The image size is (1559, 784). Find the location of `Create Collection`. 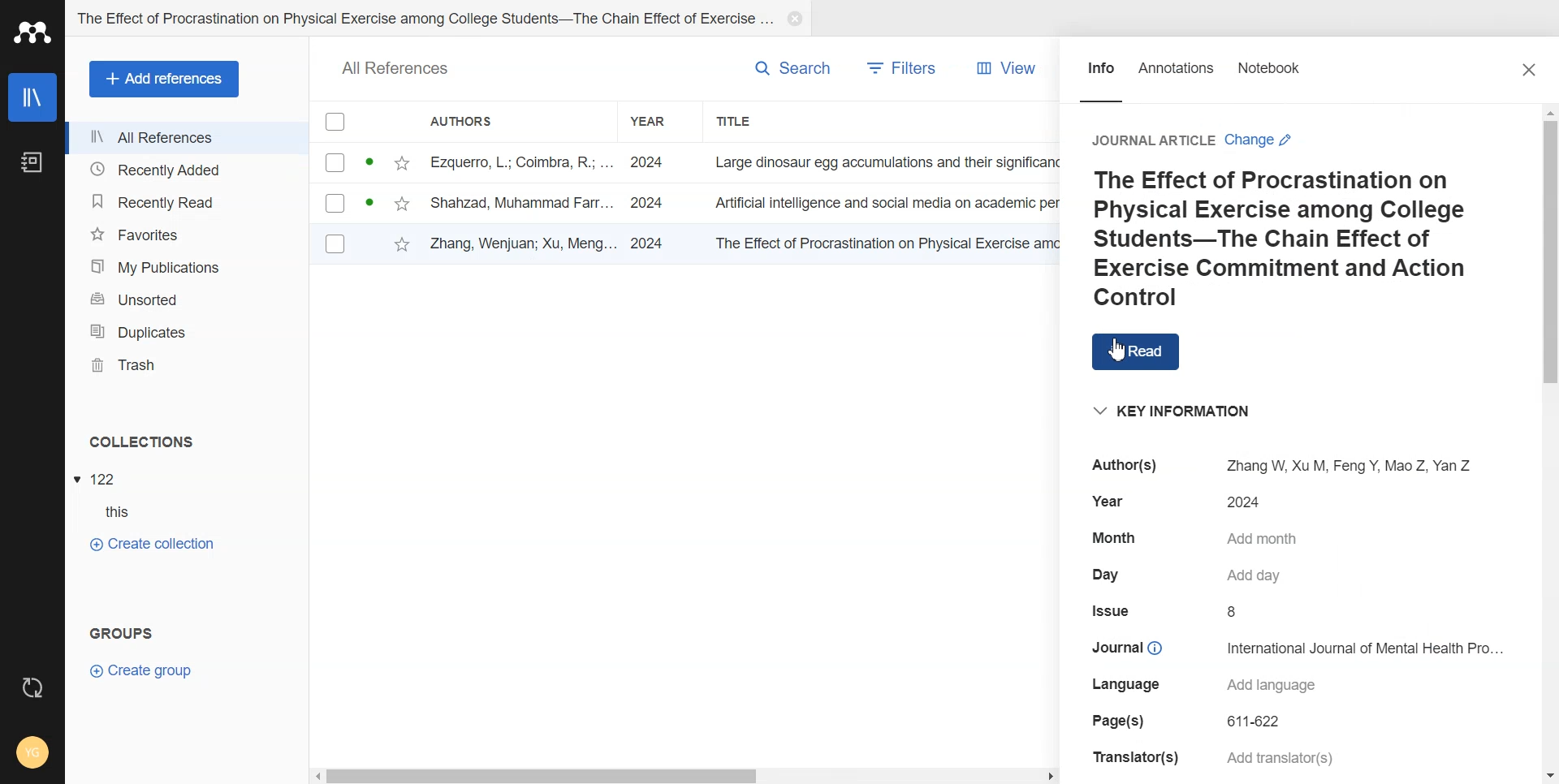

Create Collection is located at coordinates (155, 545).